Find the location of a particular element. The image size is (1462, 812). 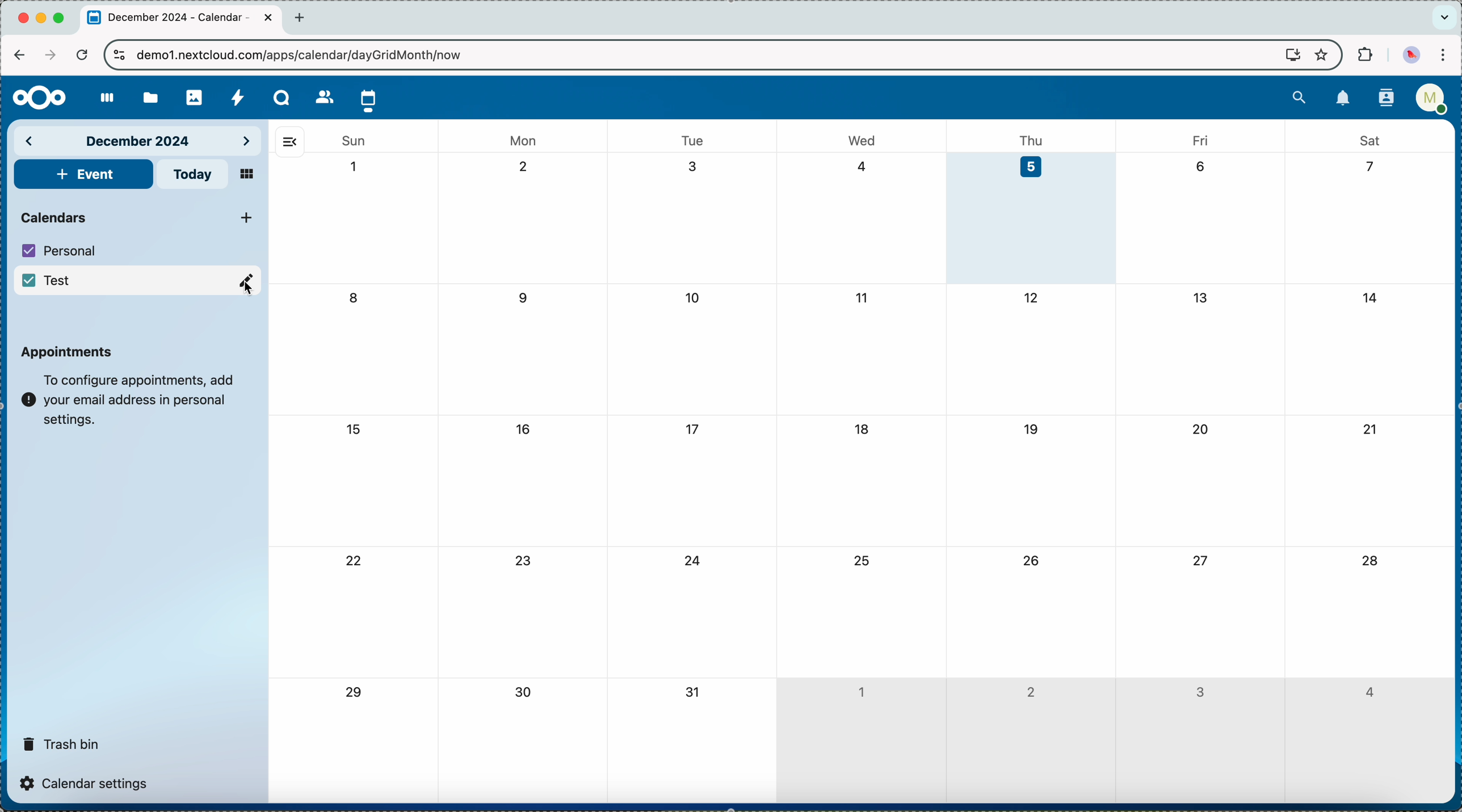

dashboard is located at coordinates (102, 99).